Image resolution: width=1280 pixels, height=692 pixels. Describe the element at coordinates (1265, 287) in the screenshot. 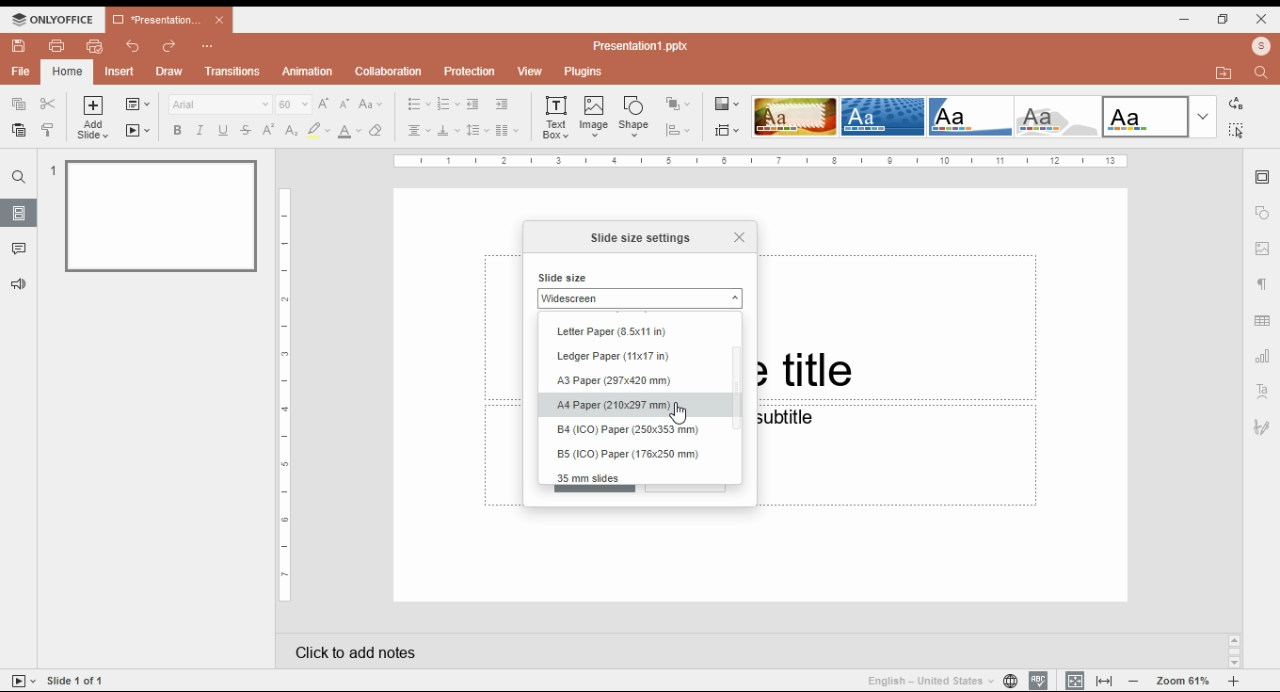

I see `paragraph settings` at that location.